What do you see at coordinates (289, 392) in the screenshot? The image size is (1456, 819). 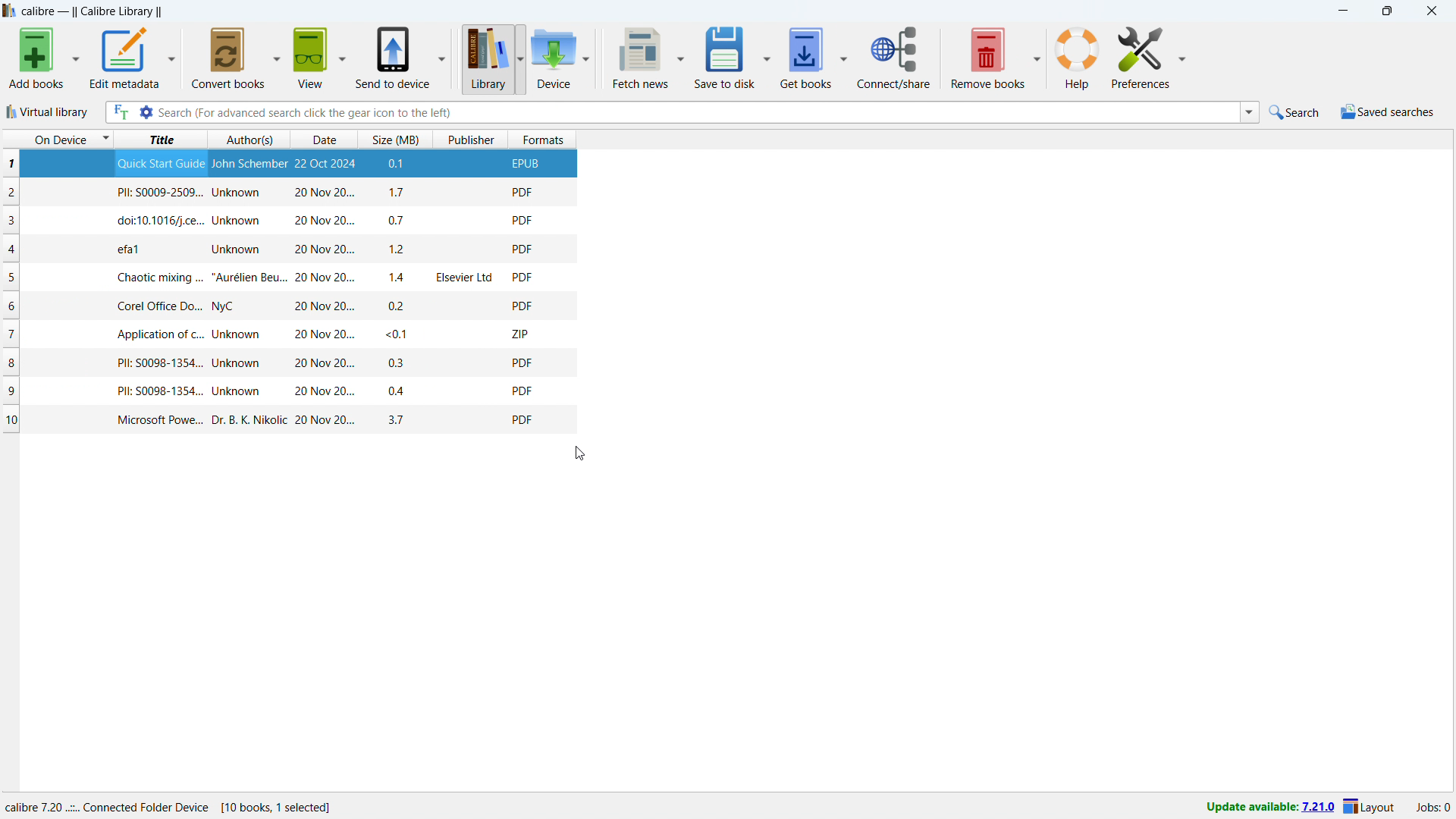 I see `one book entry` at bounding box center [289, 392].